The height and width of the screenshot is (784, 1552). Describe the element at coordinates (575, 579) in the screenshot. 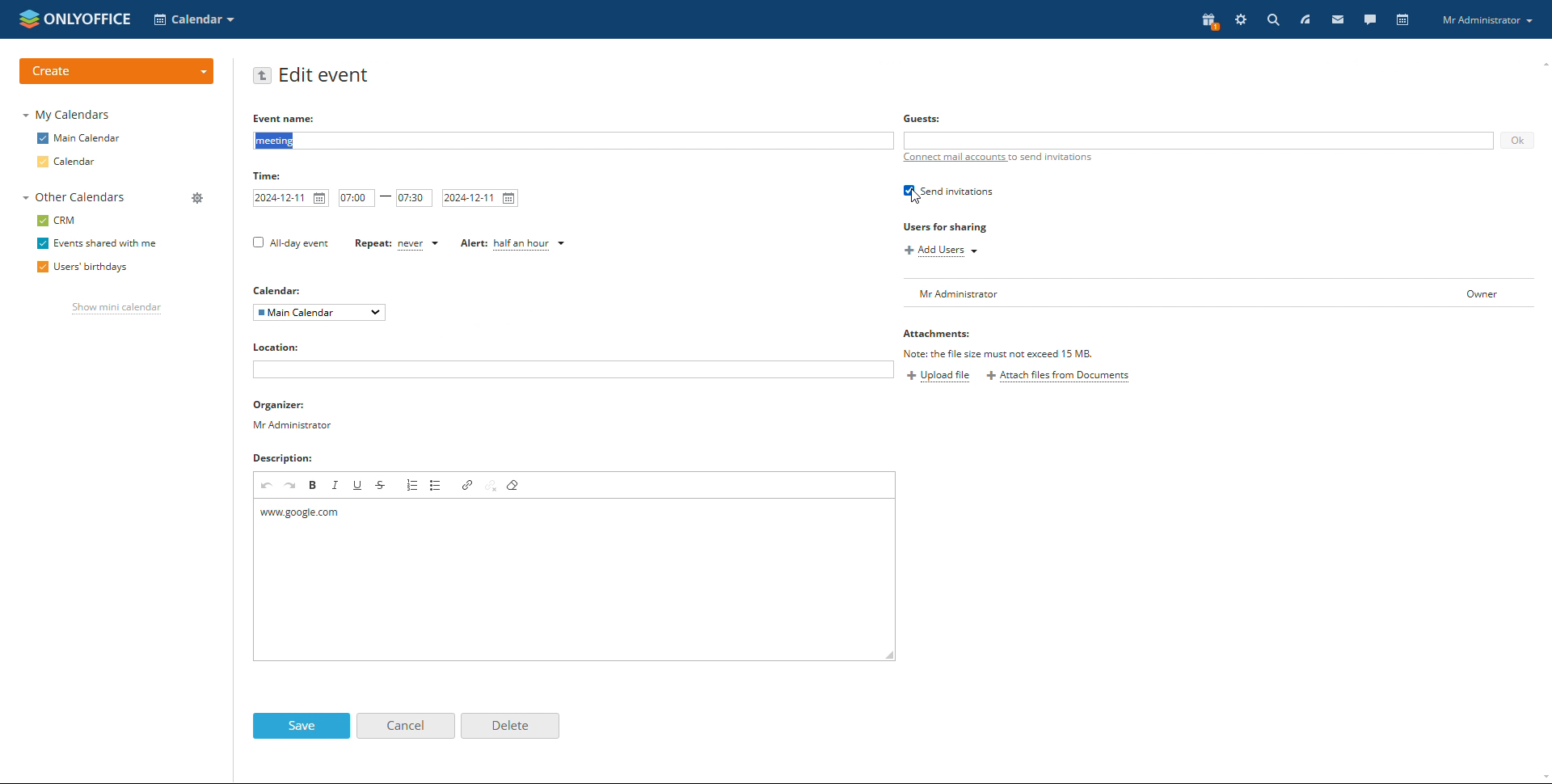

I see `event description` at that location.